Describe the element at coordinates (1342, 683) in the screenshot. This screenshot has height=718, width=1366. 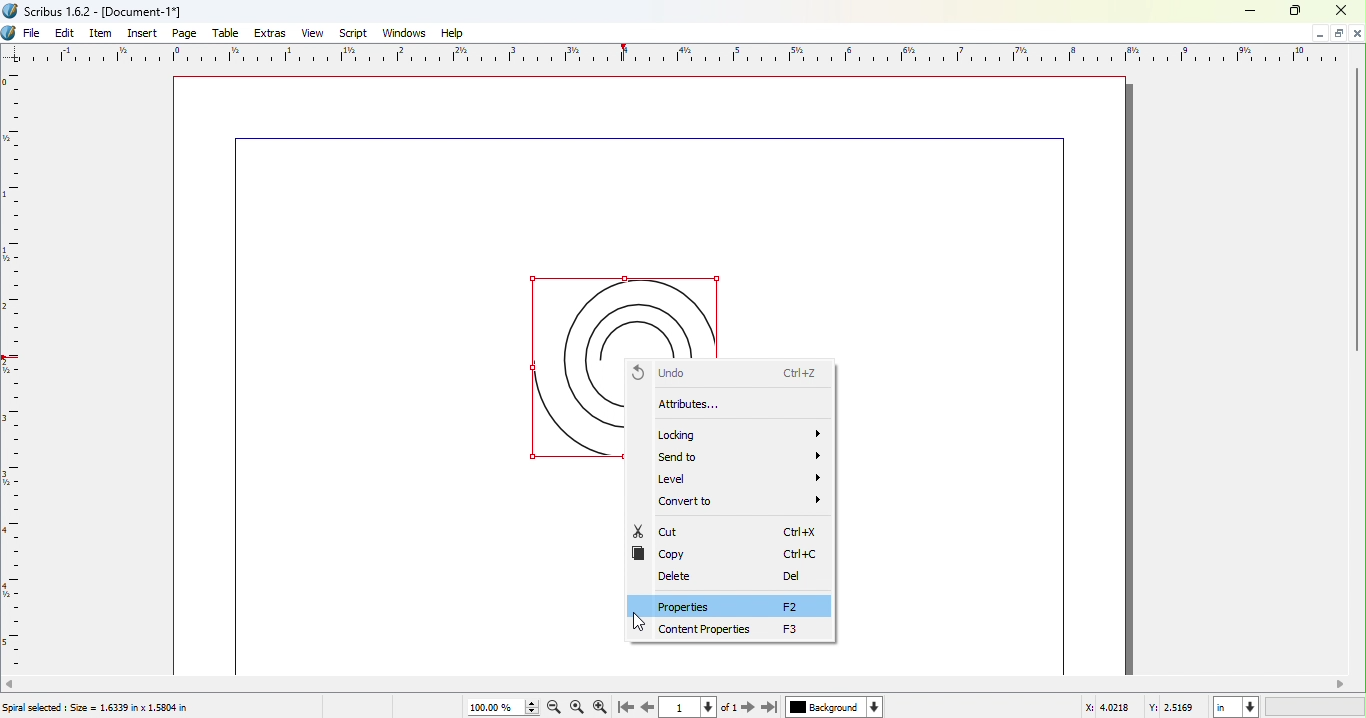
I see `move right` at that location.